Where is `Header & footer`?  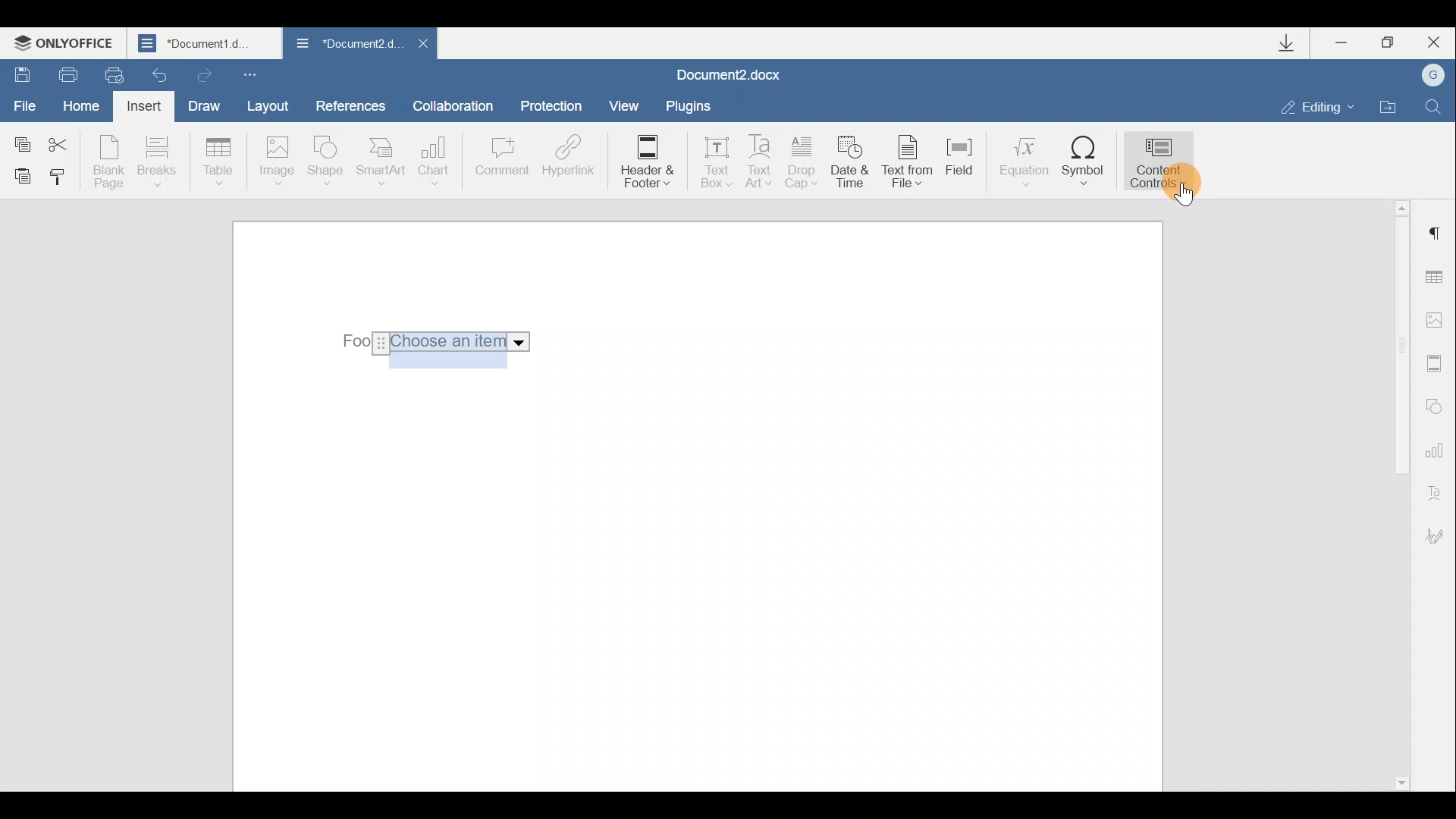
Header & footer is located at coordinates (646, 162).